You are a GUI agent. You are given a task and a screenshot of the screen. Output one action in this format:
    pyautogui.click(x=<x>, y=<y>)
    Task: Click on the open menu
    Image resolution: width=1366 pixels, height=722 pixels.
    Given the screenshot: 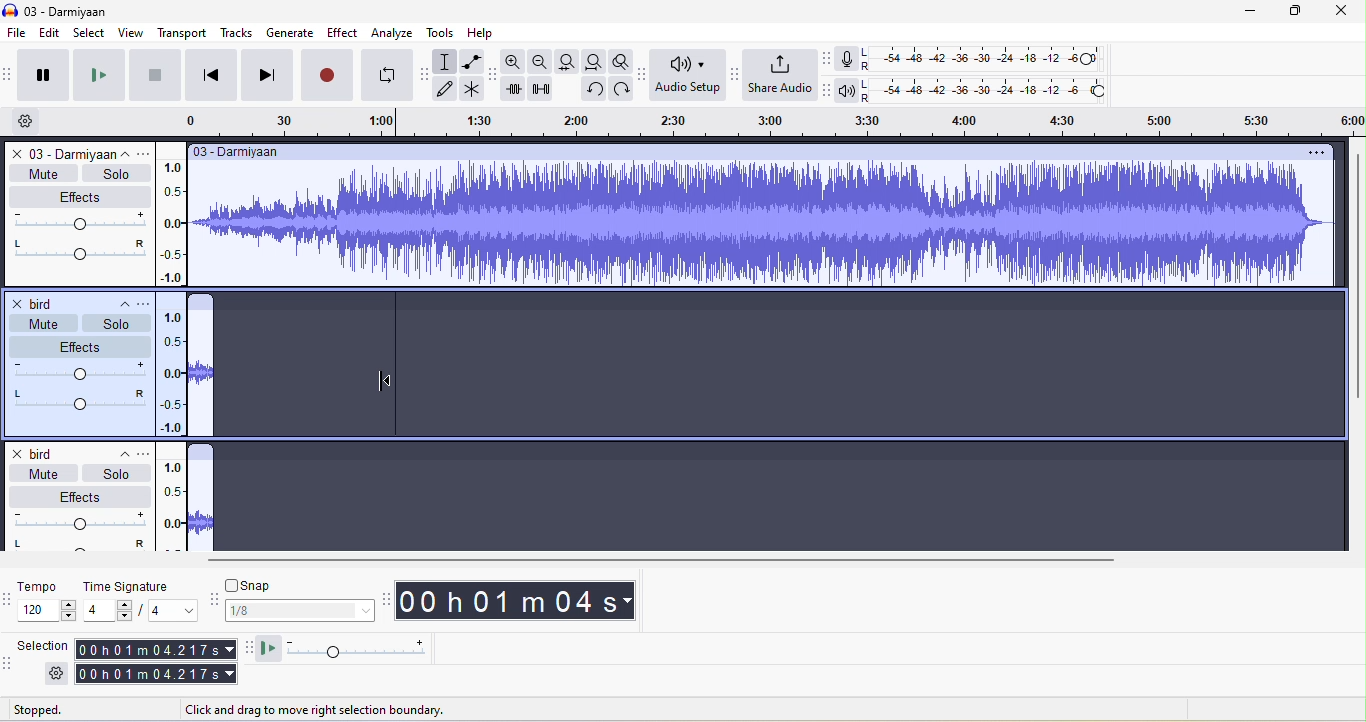 What is the action you would take?
    pyautogui.click(x=147, y=152)
    